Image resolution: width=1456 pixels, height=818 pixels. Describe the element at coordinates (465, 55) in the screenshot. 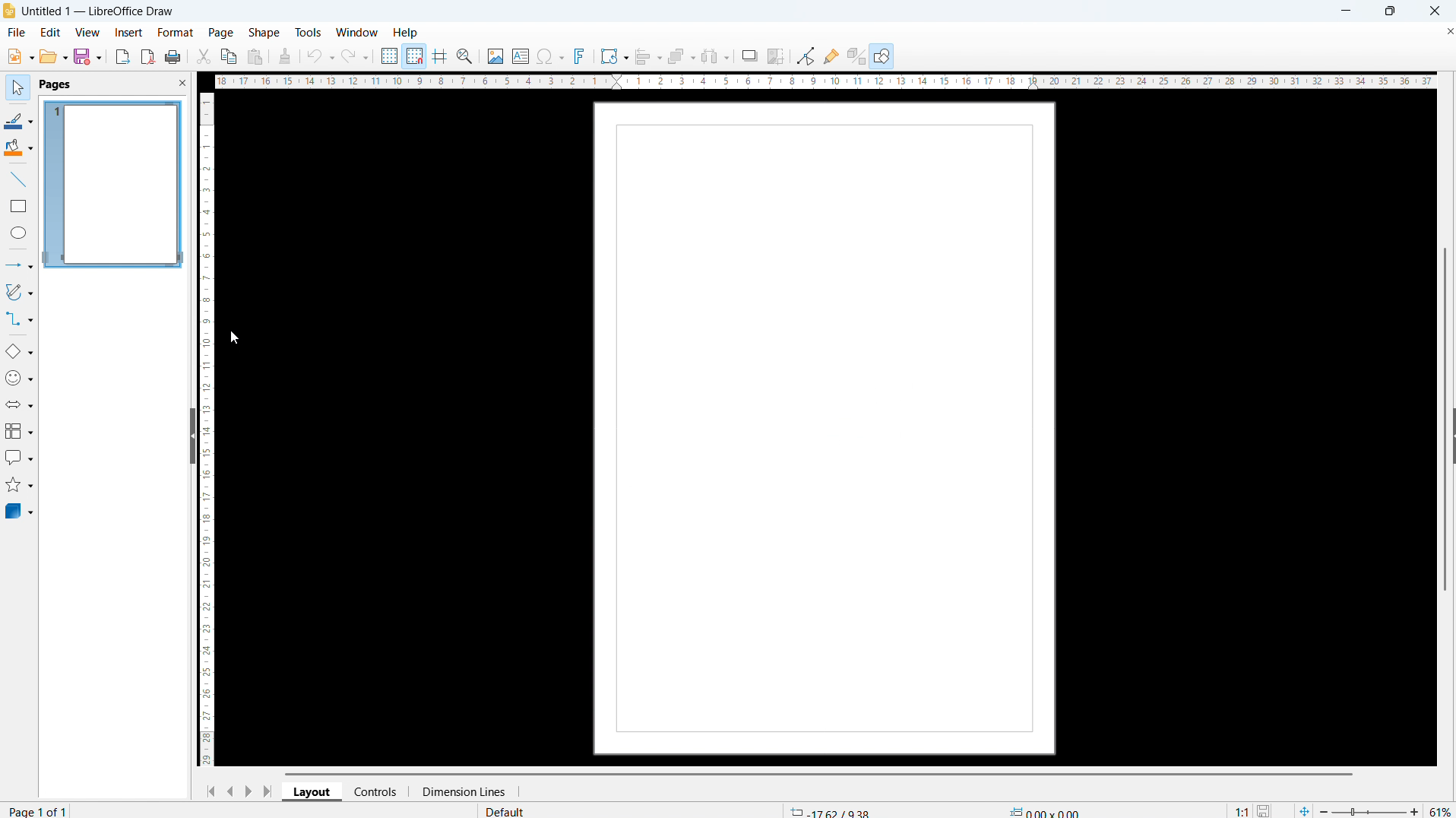

I see `zoom` at that location.